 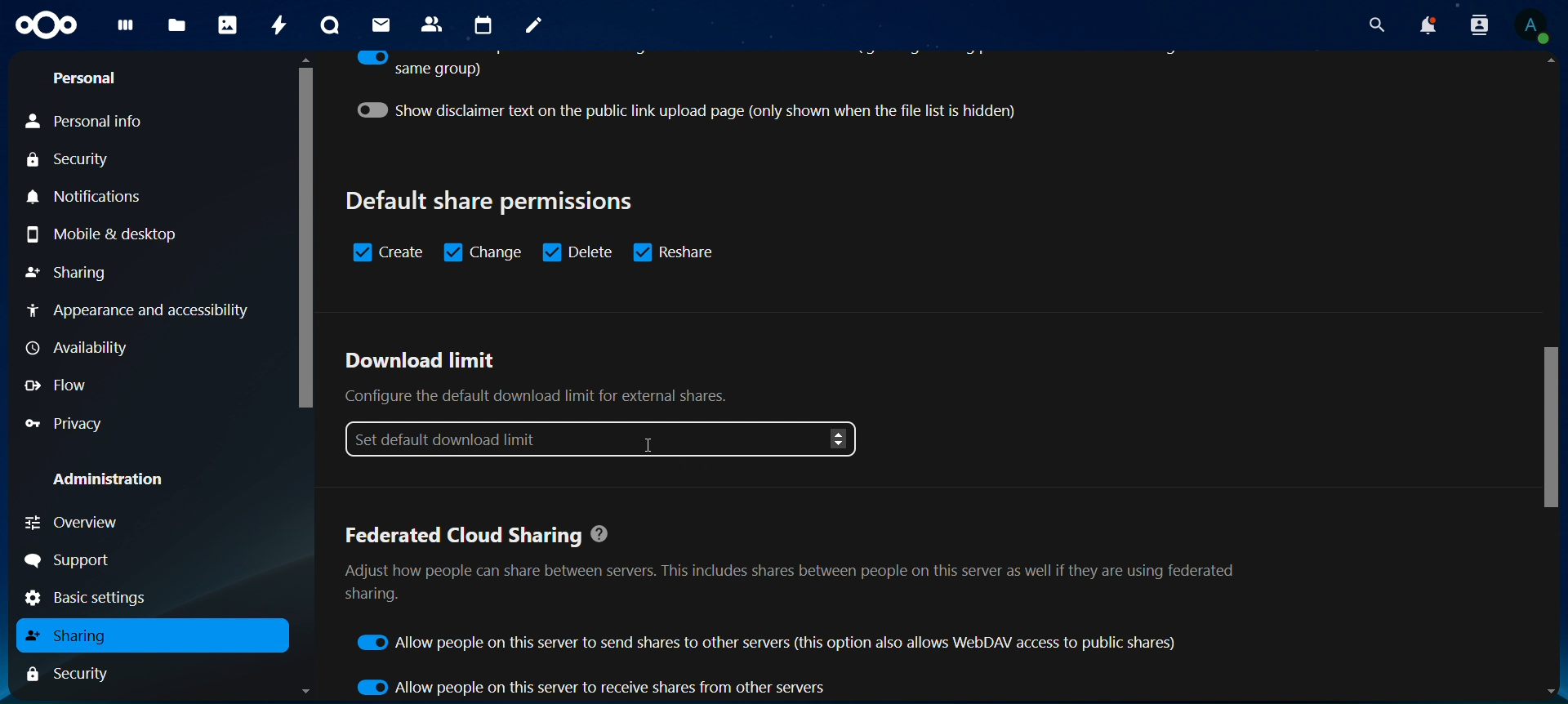 What do you see at coordinates (418, 65) in the screenshot?
I see `same group` at bounding box center [418, 65].